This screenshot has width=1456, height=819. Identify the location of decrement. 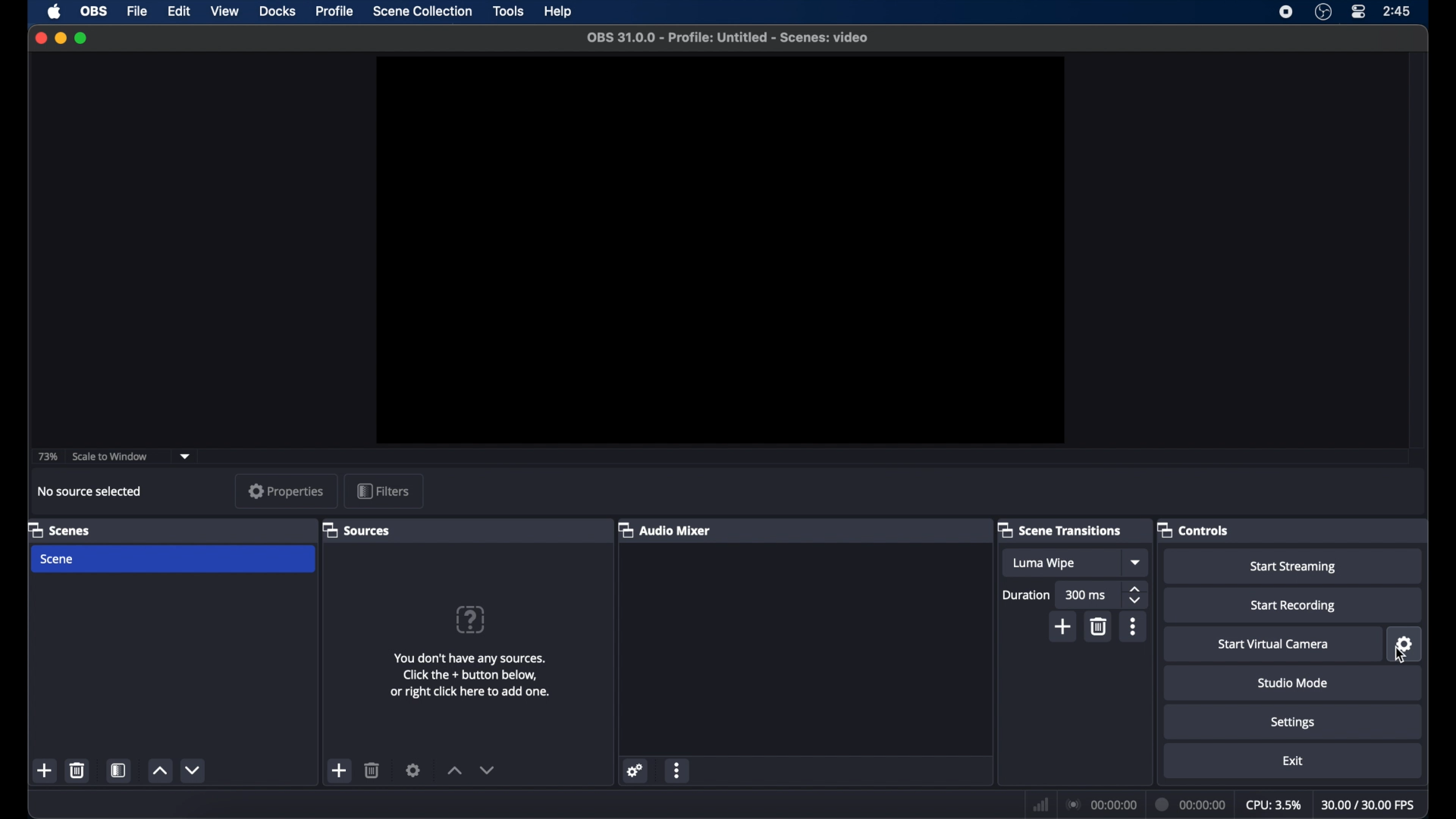
(487, 770).